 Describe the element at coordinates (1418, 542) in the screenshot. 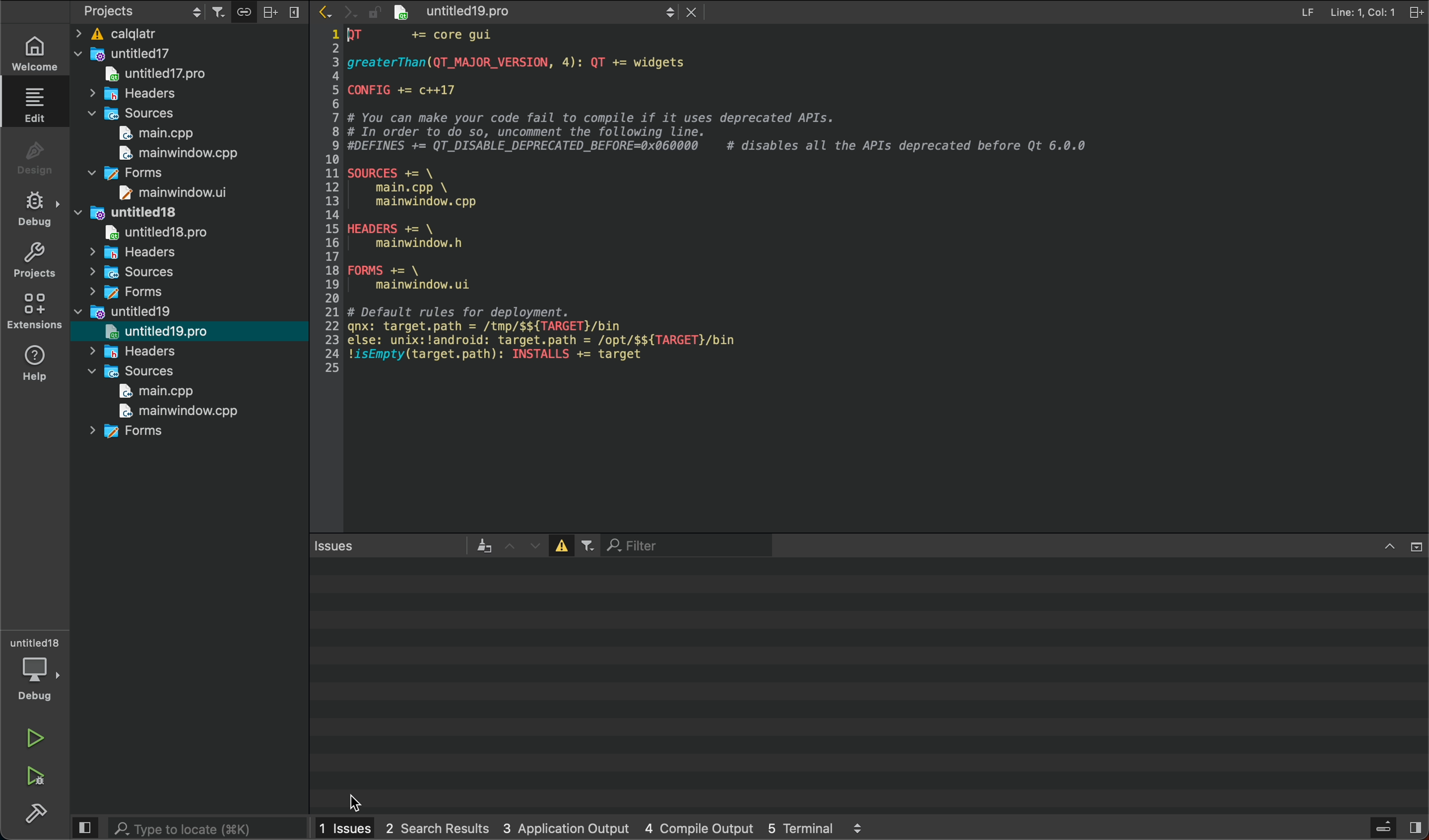

I see `view` at that location.